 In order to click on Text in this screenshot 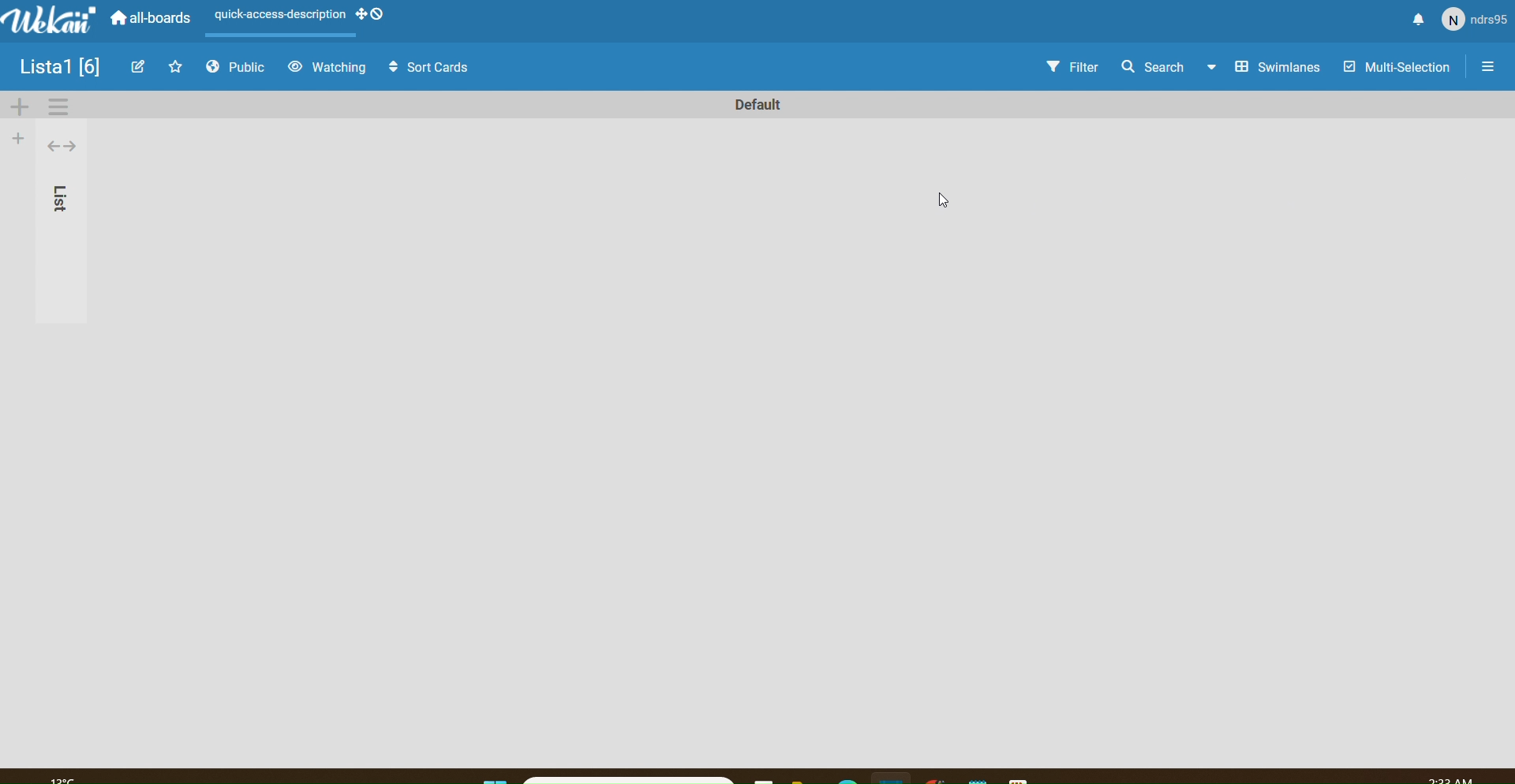, I will do `click(748, 104)`.